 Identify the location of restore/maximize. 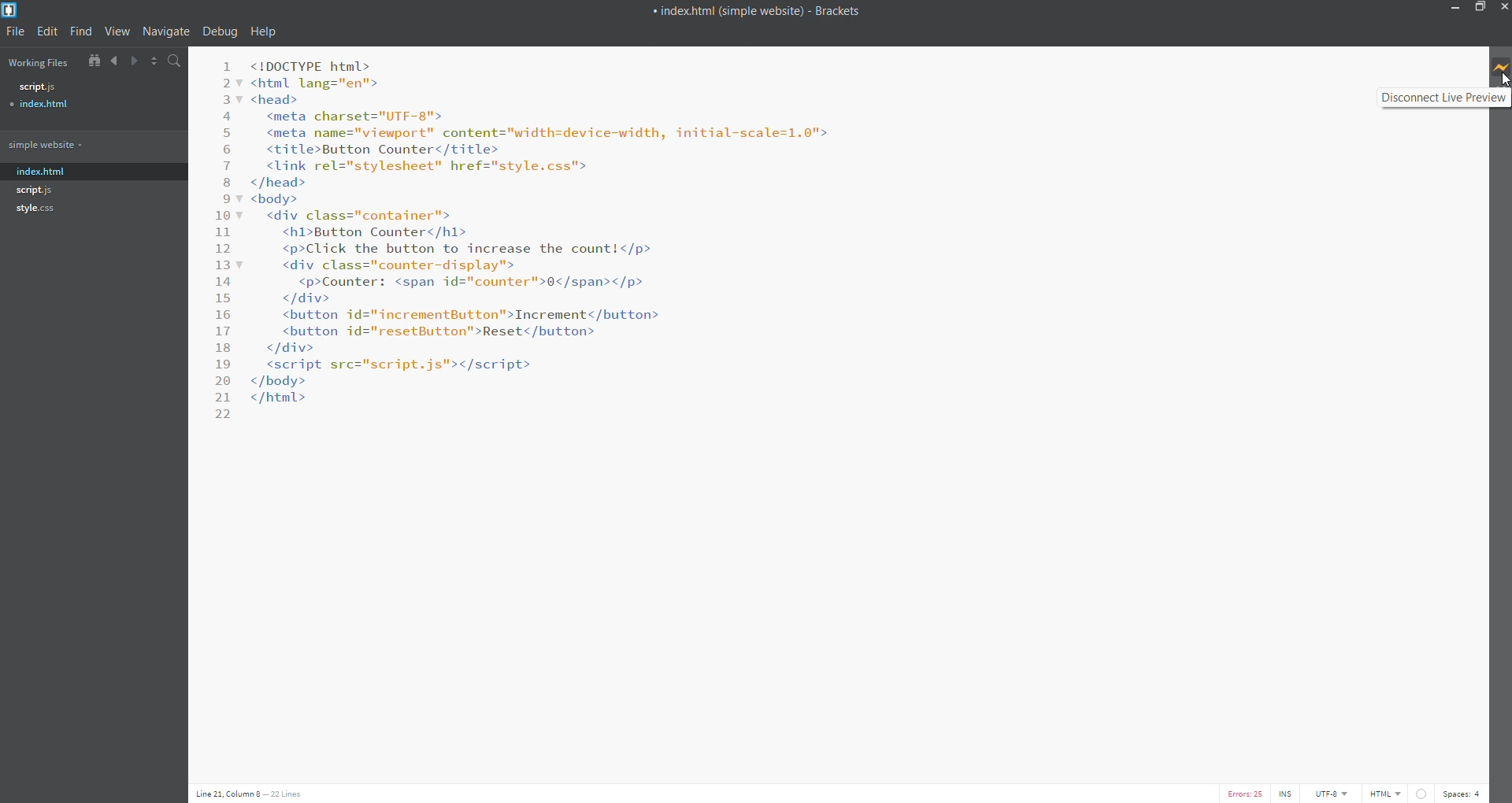
(1480, 9).